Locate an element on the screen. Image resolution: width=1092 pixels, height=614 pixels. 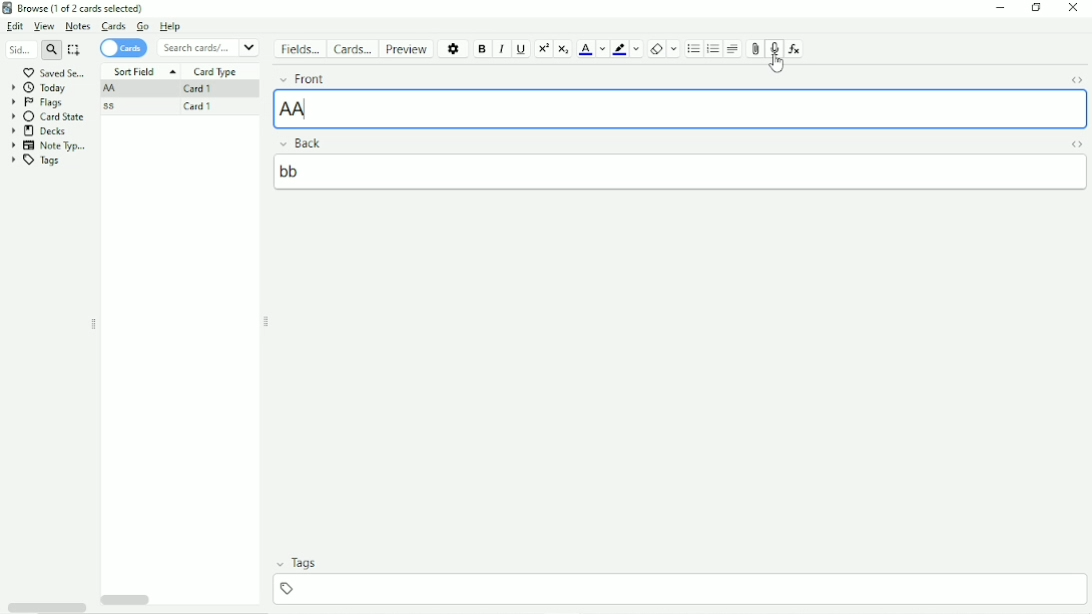
Superscript is located at coordinates (543, 48).